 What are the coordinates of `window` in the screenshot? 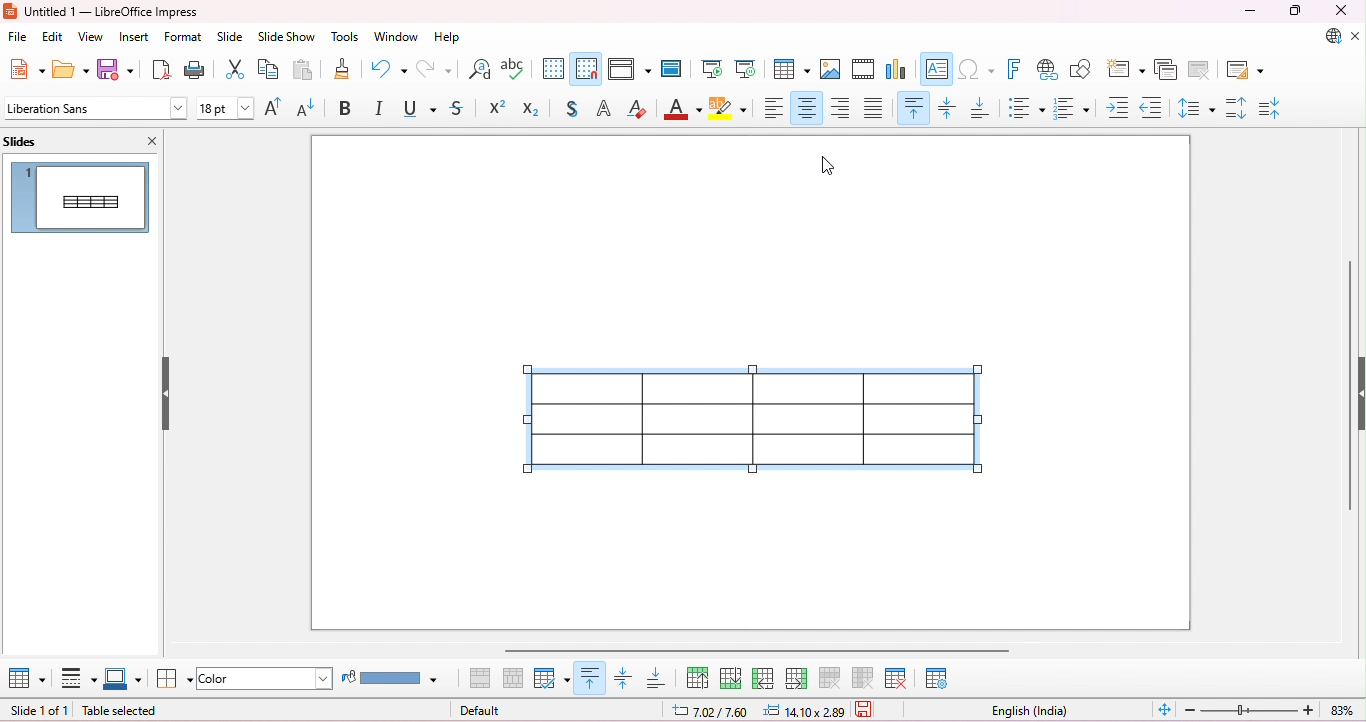 It's located at (397, 37).